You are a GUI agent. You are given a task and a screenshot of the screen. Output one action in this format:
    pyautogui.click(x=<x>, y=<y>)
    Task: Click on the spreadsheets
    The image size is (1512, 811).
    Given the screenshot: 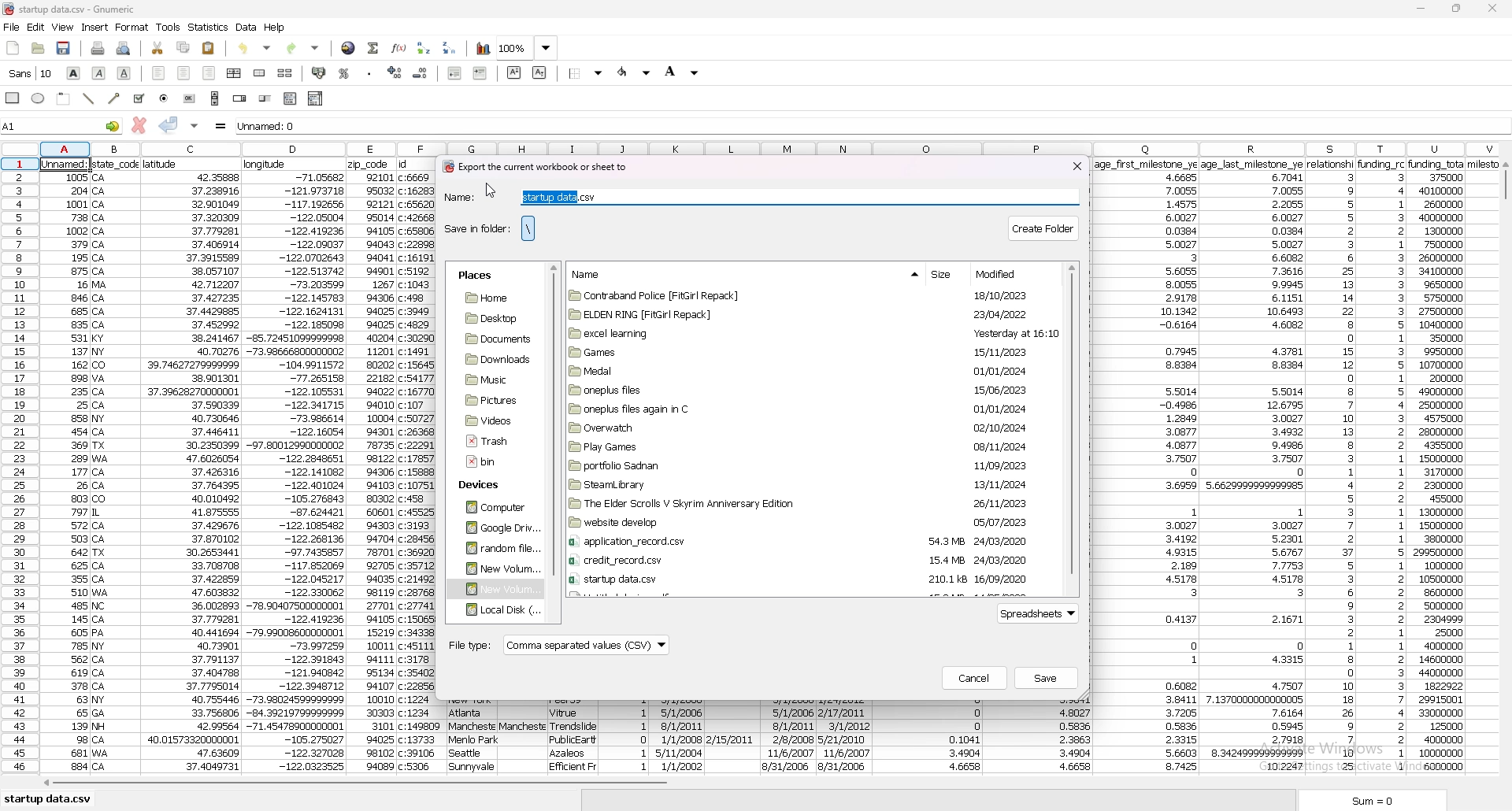 What is the action you would take?
    pyautogui.click(x=1040, y=614)
    